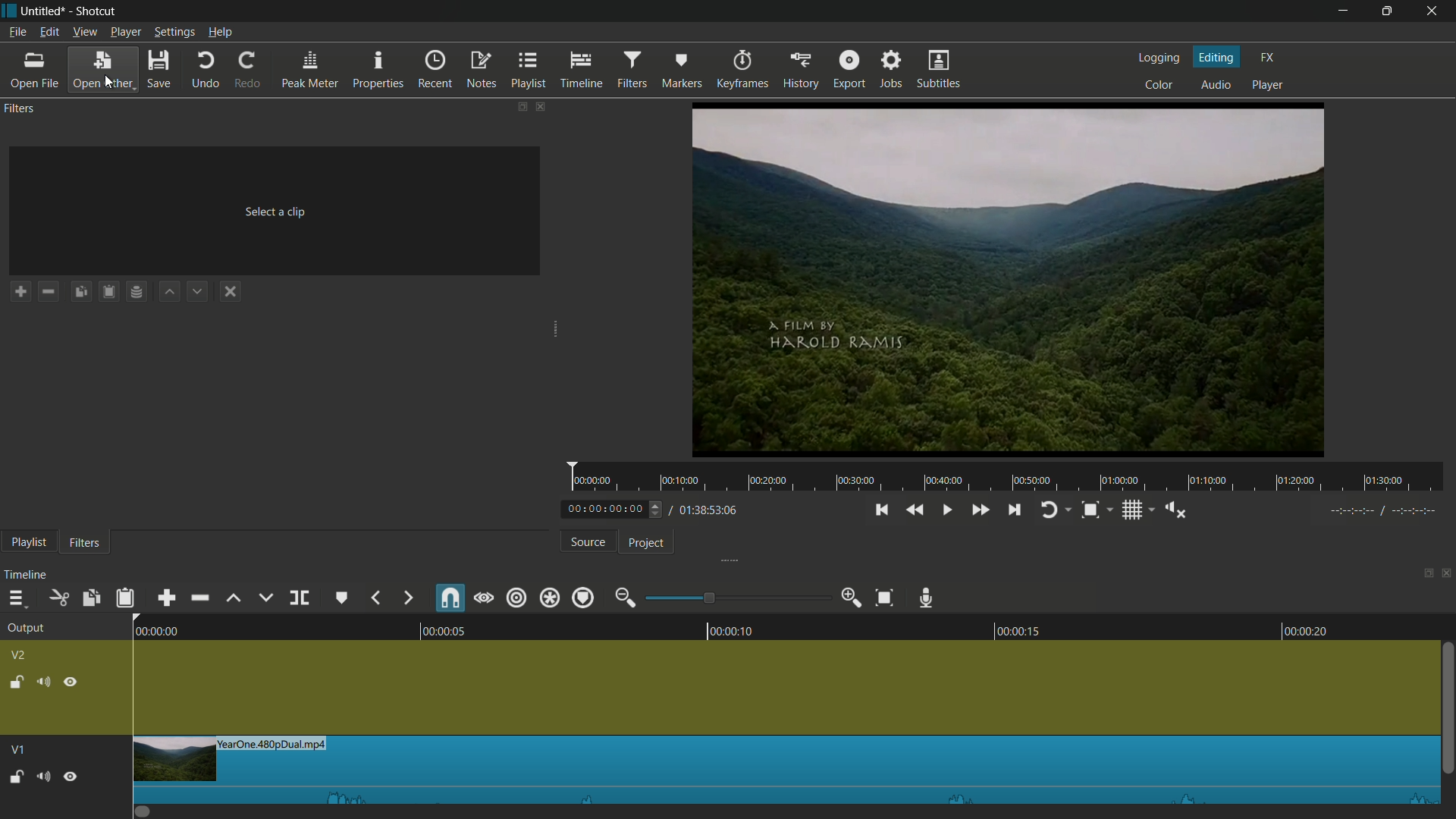  What do you see at coordinates (163, 598) in the screenshot?
I see `append` at bounding box center [163, 598].